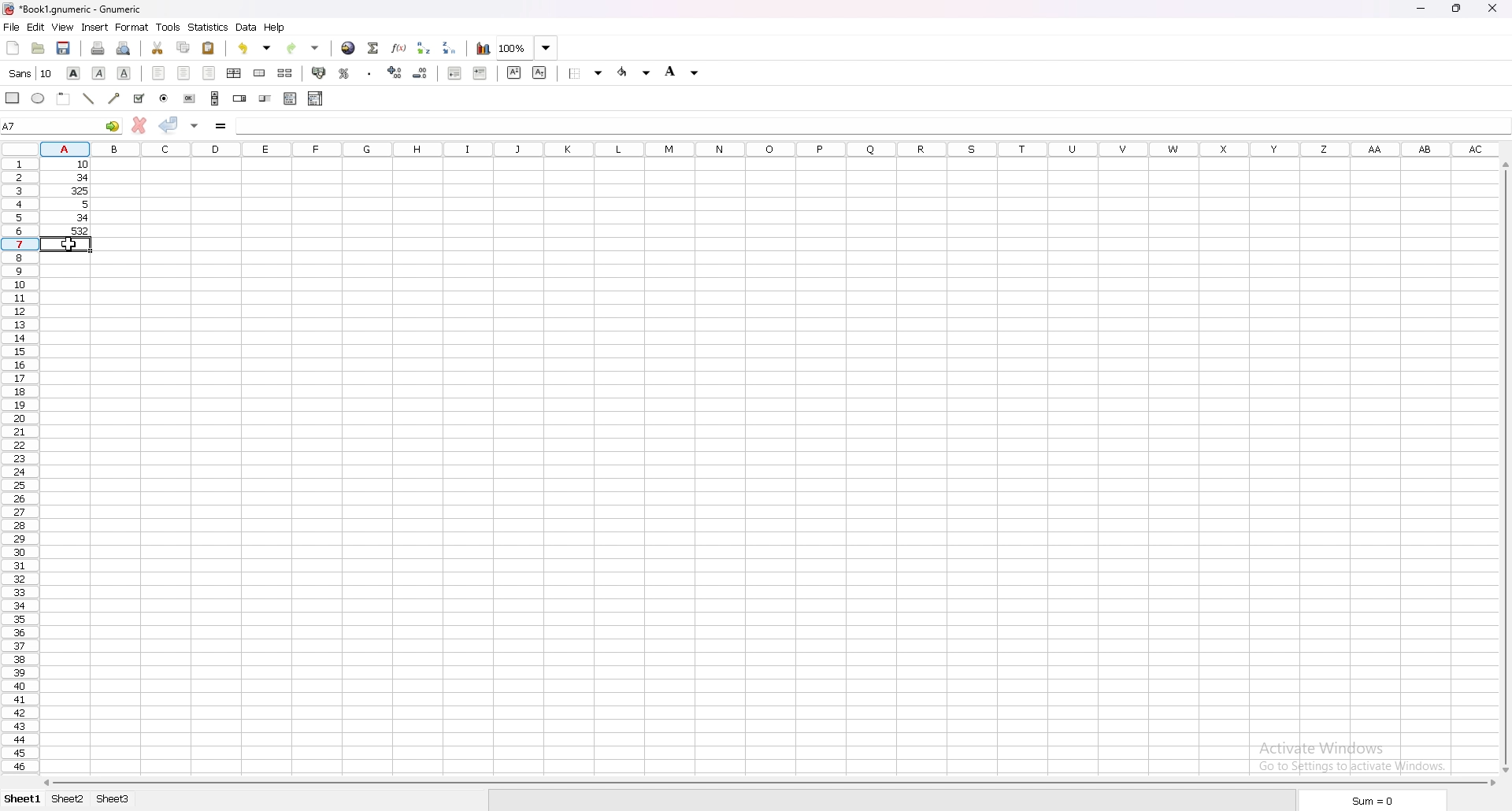 This screenshot has height=811, width=1512. I want to click on resize, so click(1455, 8).